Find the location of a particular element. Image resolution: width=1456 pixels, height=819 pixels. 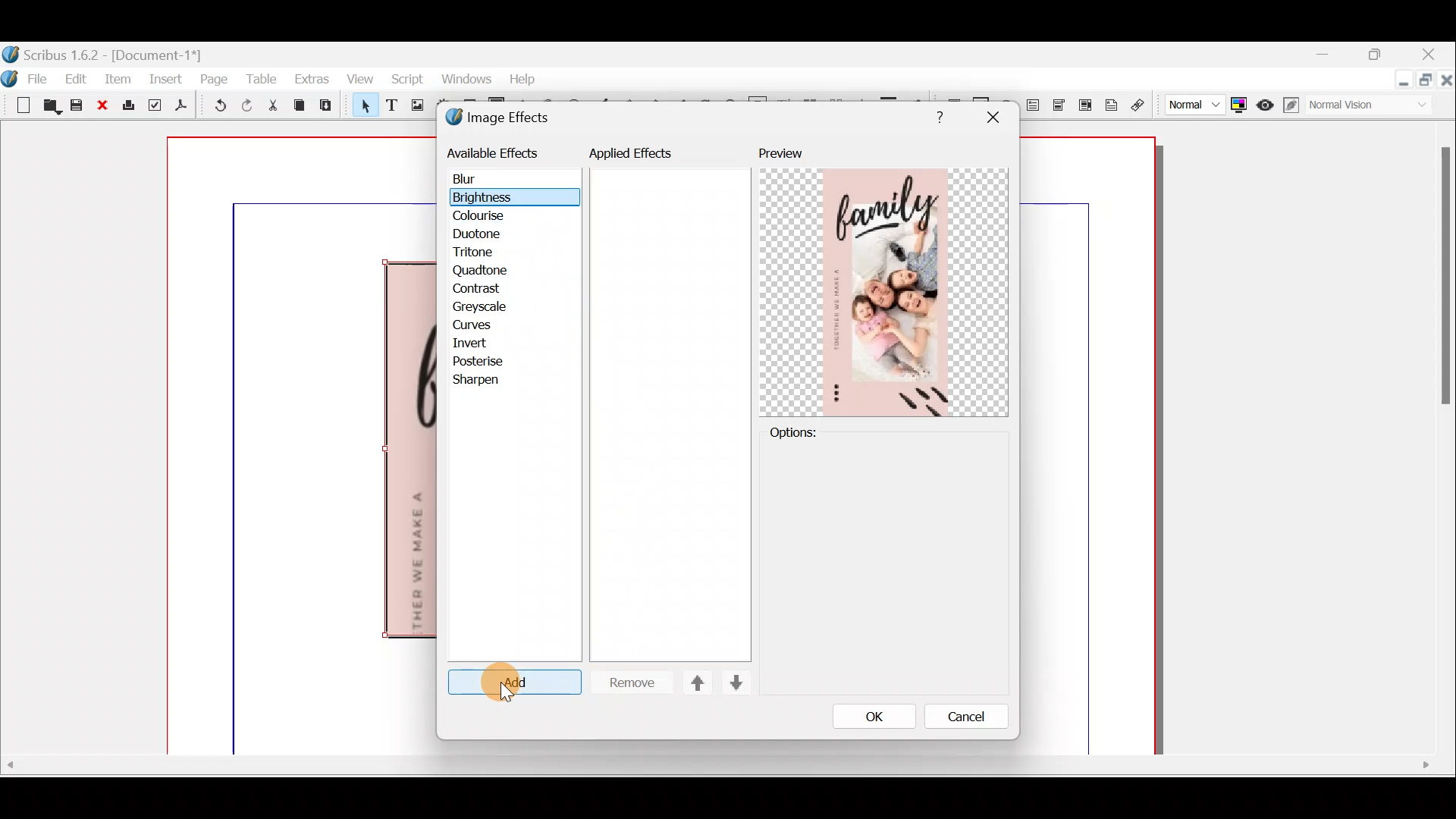

Sharpen is located at coordinates (484, 381).